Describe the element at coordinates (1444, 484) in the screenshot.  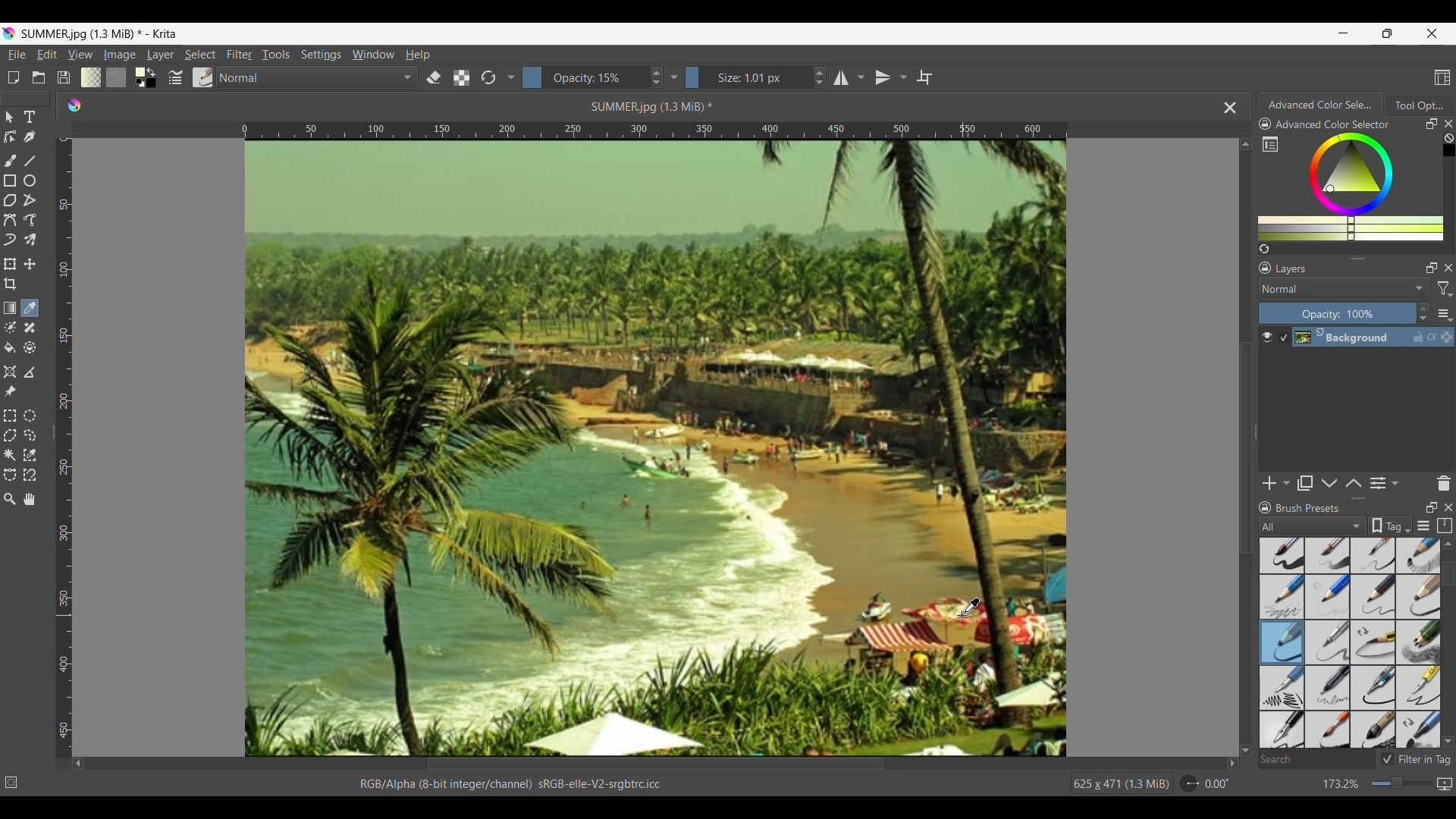
I see `Delete presets` at that location.